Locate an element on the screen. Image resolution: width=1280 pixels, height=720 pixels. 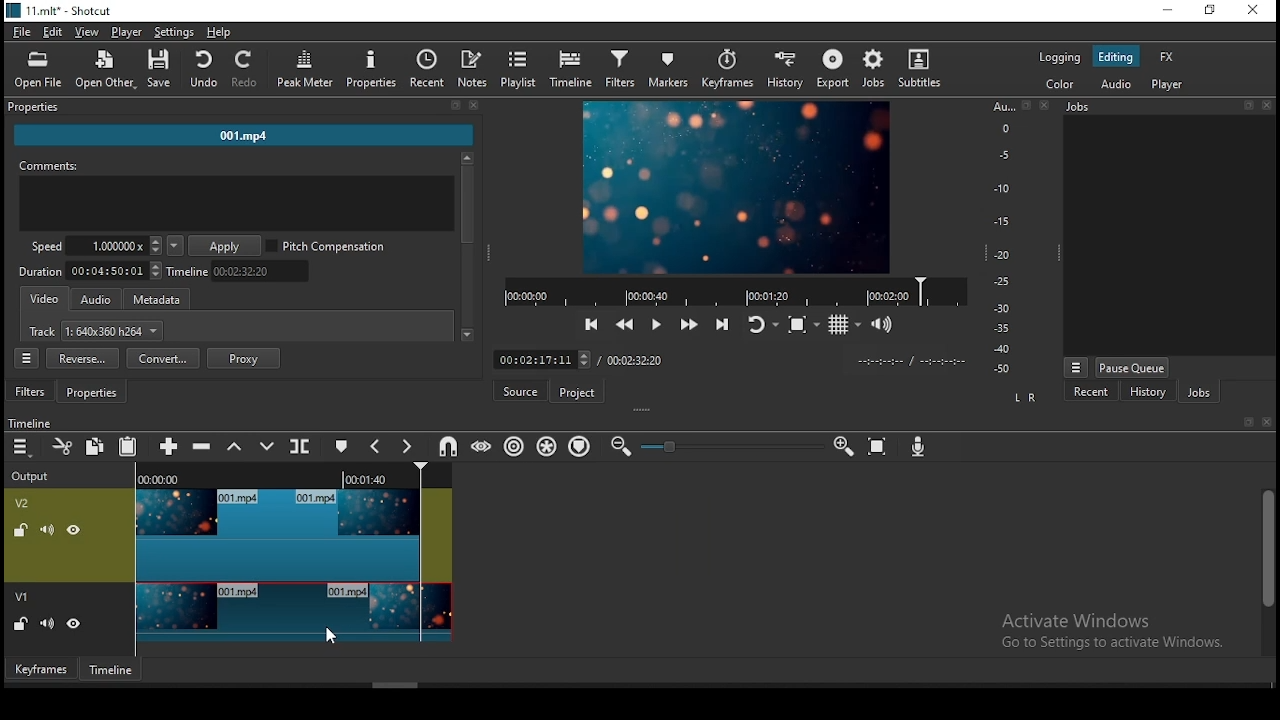
jobs is located at coordinates (878, 69).